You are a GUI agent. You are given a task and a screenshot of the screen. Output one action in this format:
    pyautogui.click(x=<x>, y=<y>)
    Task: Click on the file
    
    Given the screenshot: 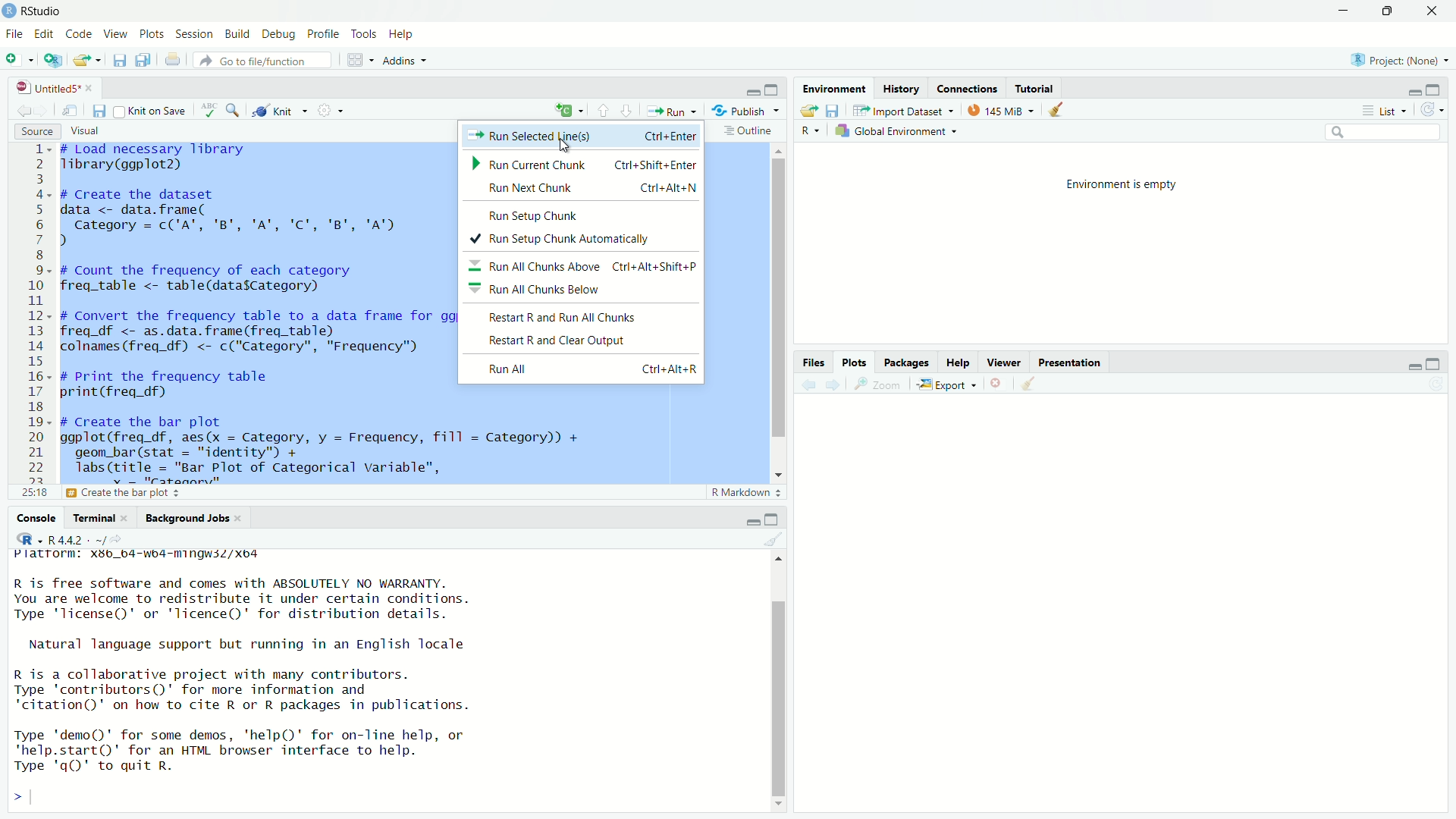 What is the action you would take?
    pyautogui.click(x=12, y=35)
    